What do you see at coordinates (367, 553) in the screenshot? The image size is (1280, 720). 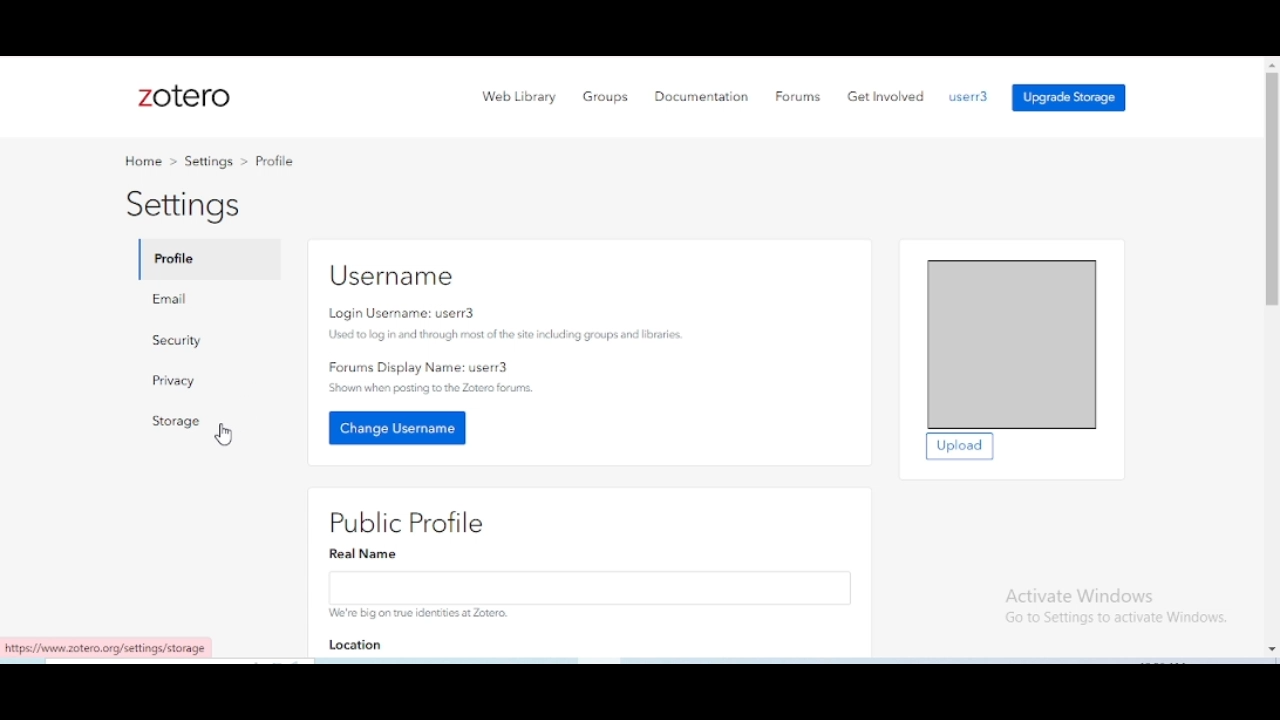 I see `Real Name` at bounding box center [367, 553].